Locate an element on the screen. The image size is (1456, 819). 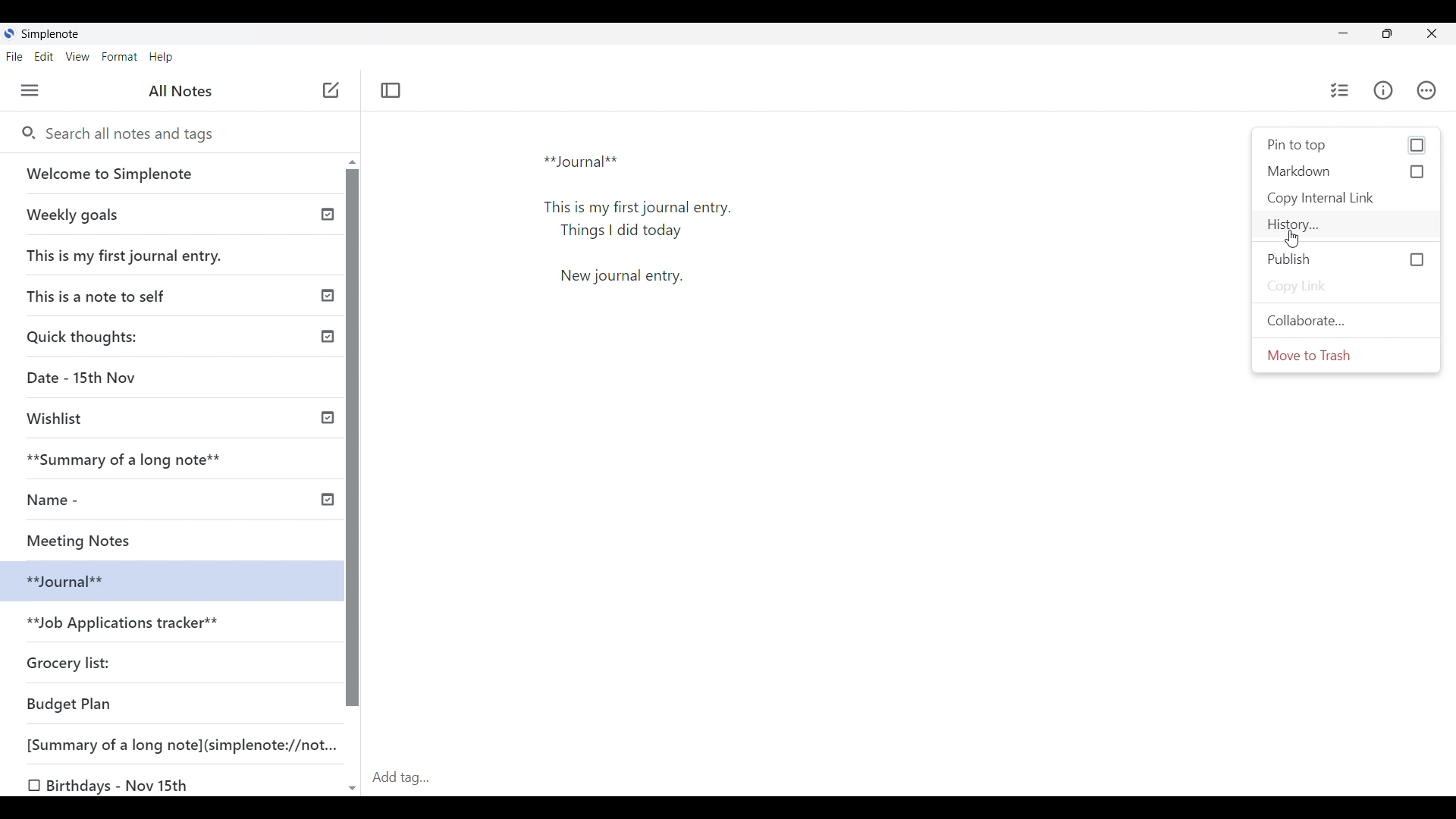
Click to pin to top is located at coordinates (1347, 145).